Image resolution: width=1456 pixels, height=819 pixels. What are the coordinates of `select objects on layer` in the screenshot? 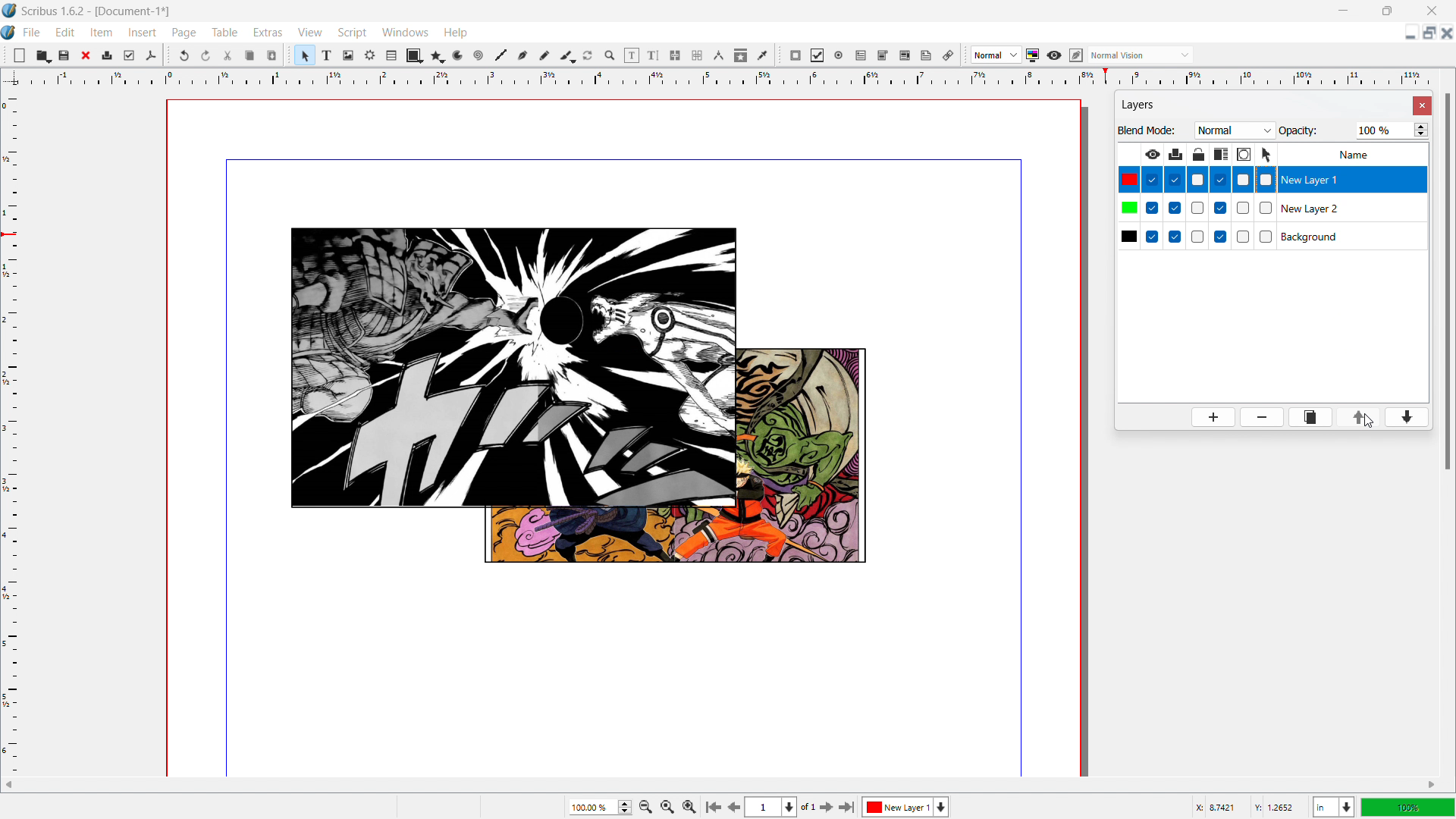 It's located at (1267, 155).